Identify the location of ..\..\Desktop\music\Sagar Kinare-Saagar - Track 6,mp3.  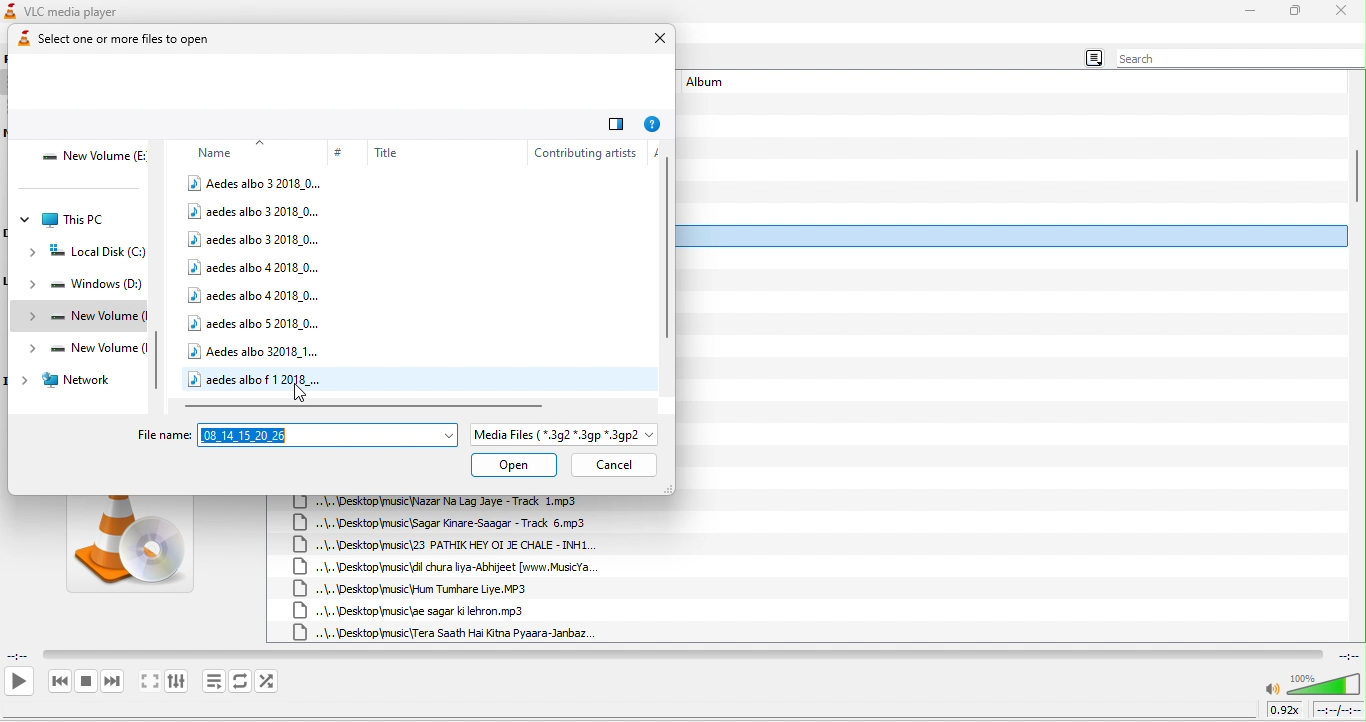
(447, 523).